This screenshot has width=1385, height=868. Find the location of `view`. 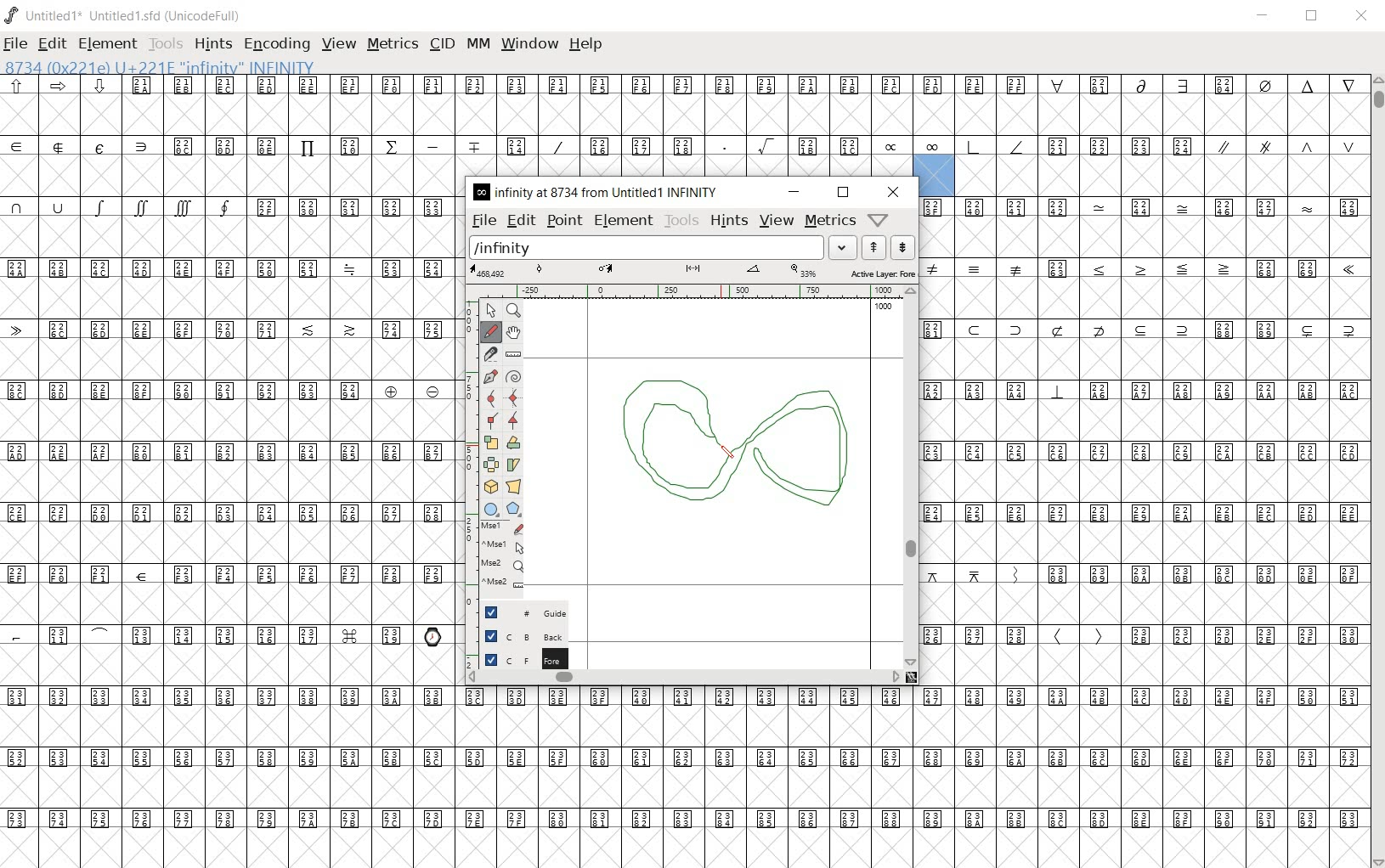

view is located at coordinates (341, 43).